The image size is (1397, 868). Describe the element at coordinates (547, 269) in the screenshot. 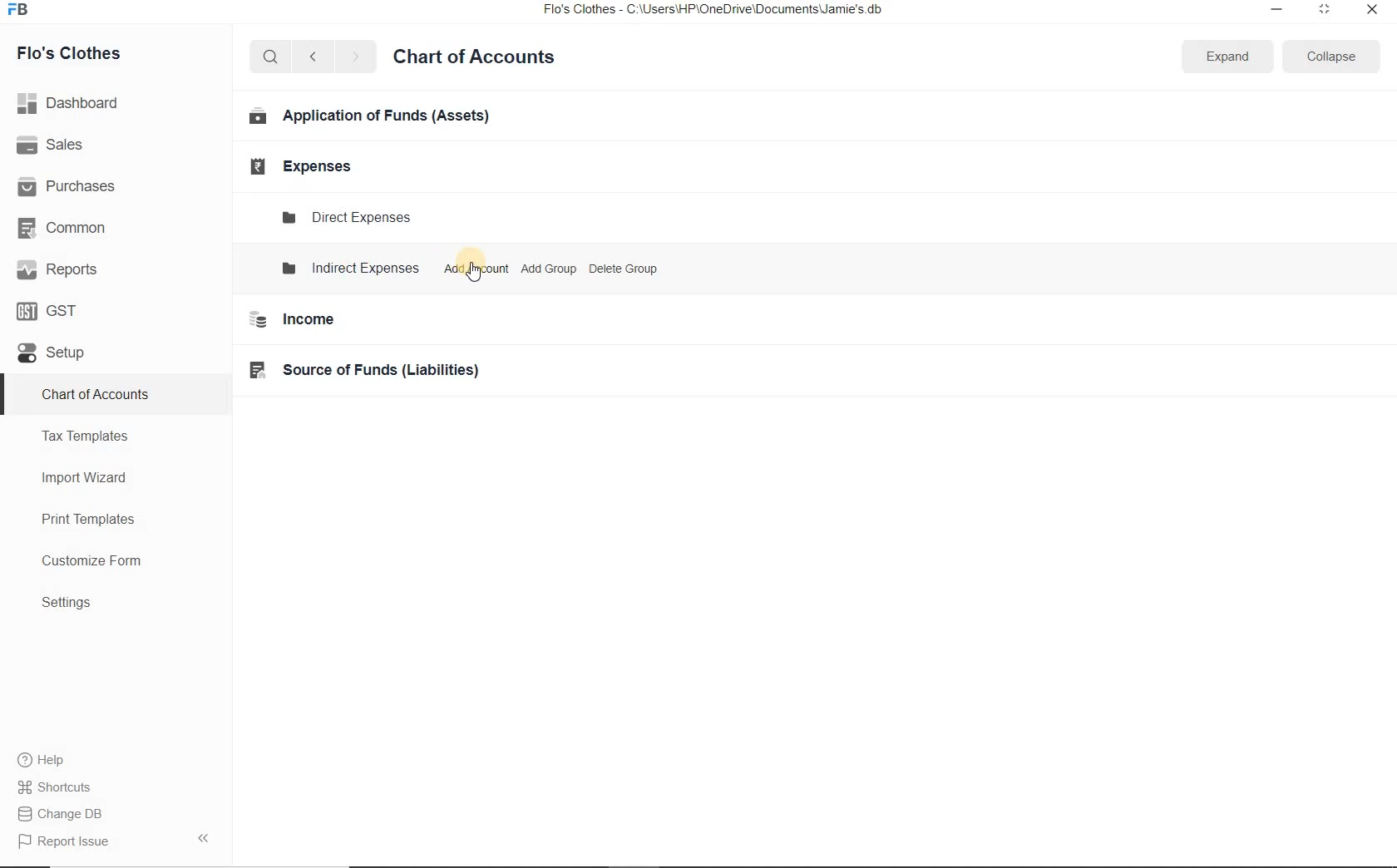

I see `Add Group` at that location.